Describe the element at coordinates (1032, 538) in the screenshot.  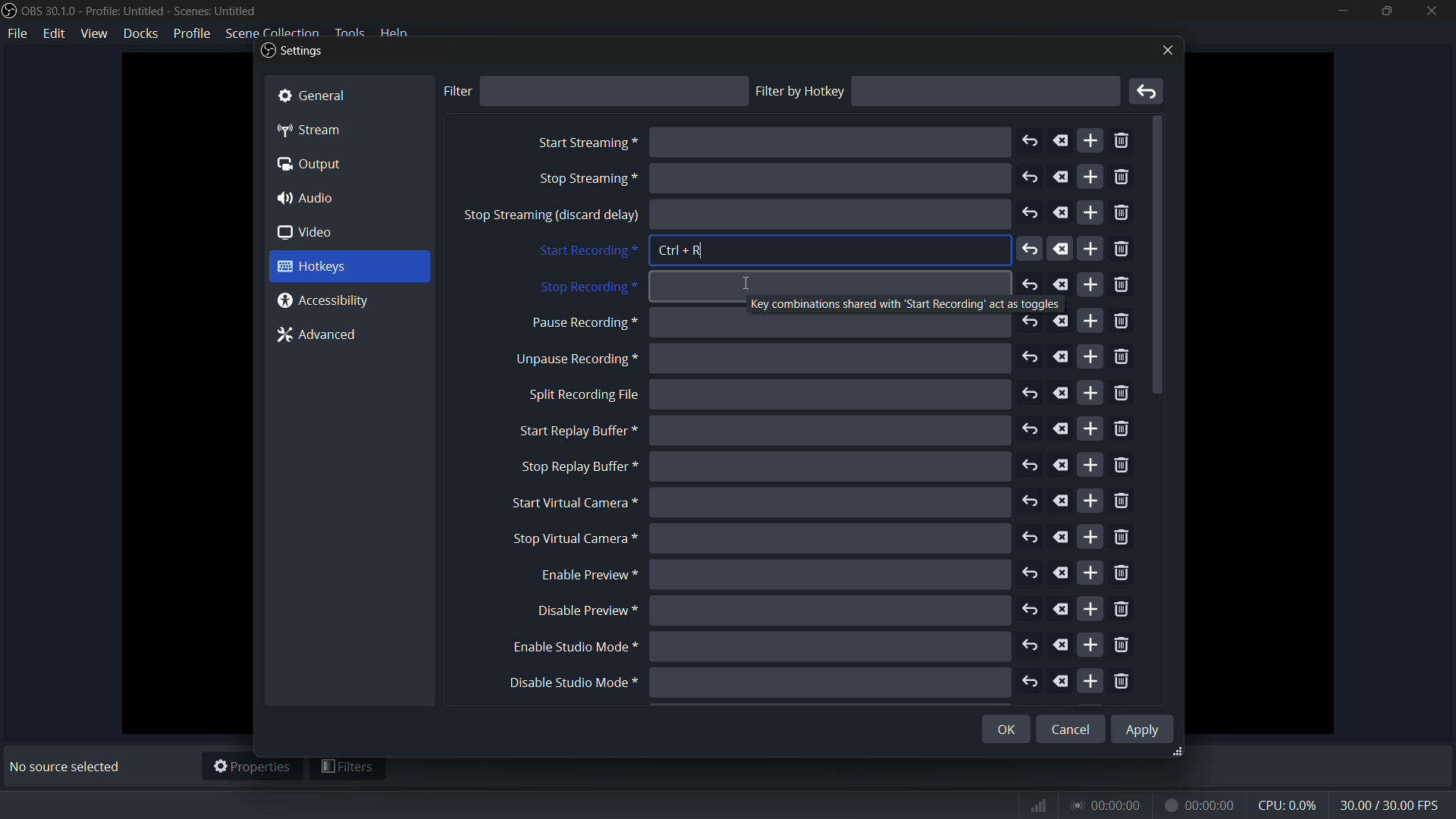
I see `undo` at that location.